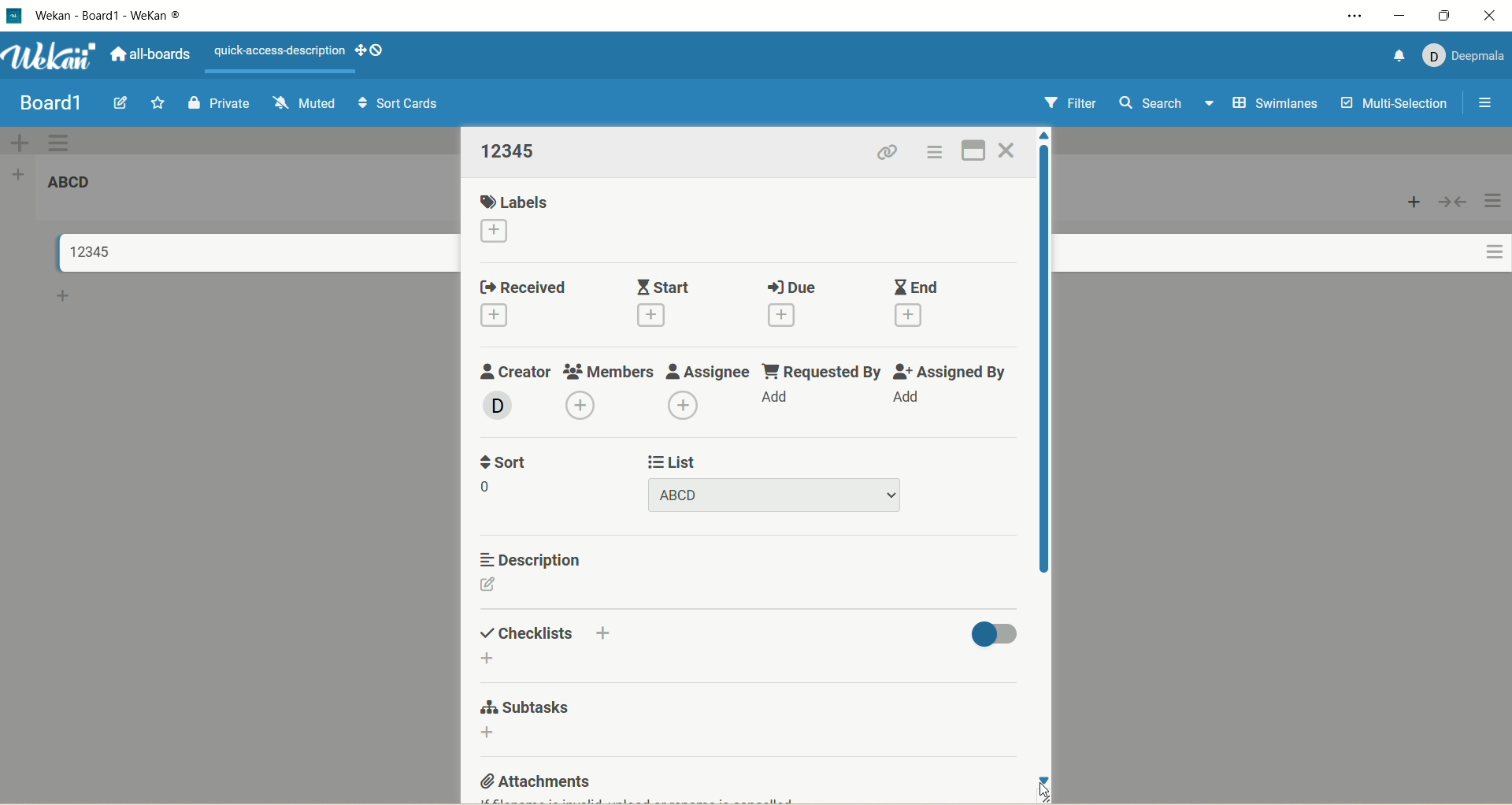 The image size is (1512, 805). Describe the element at coordinates (707, 371) in the screenshot. I see `assignee` at that location.